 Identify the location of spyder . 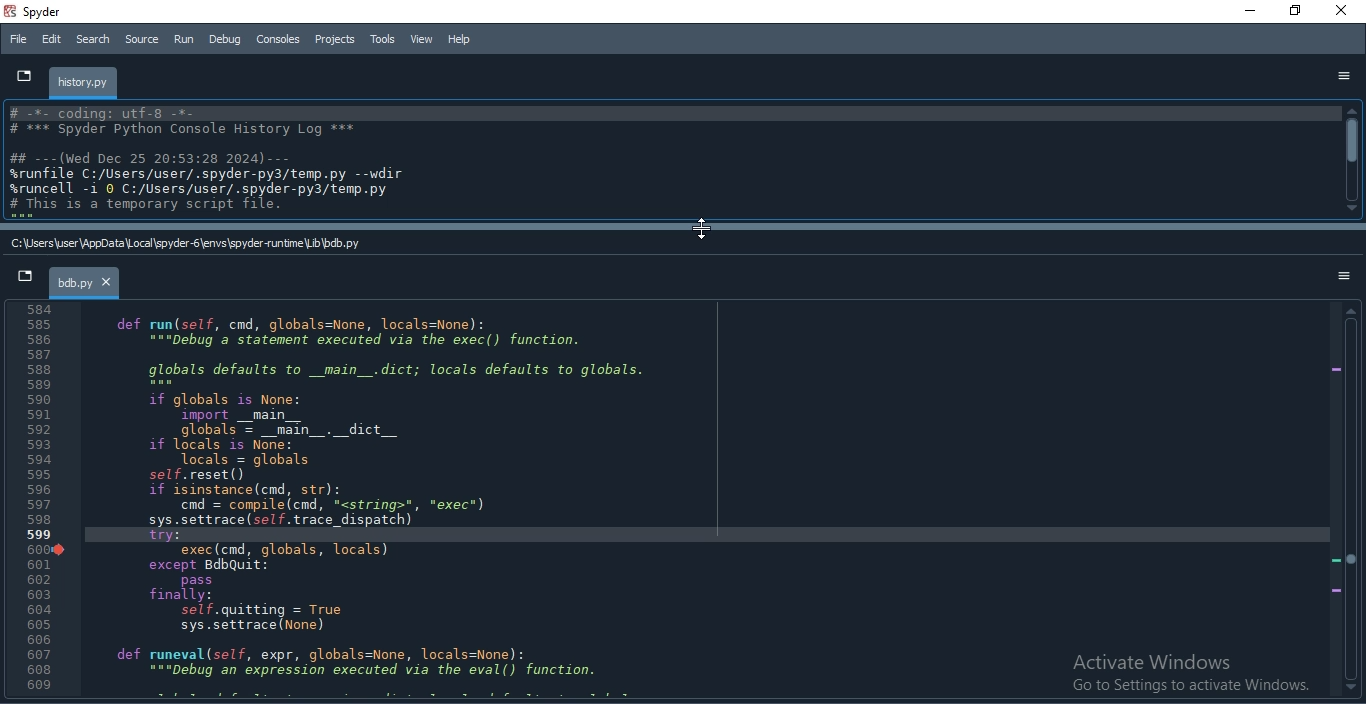
(41, 14).